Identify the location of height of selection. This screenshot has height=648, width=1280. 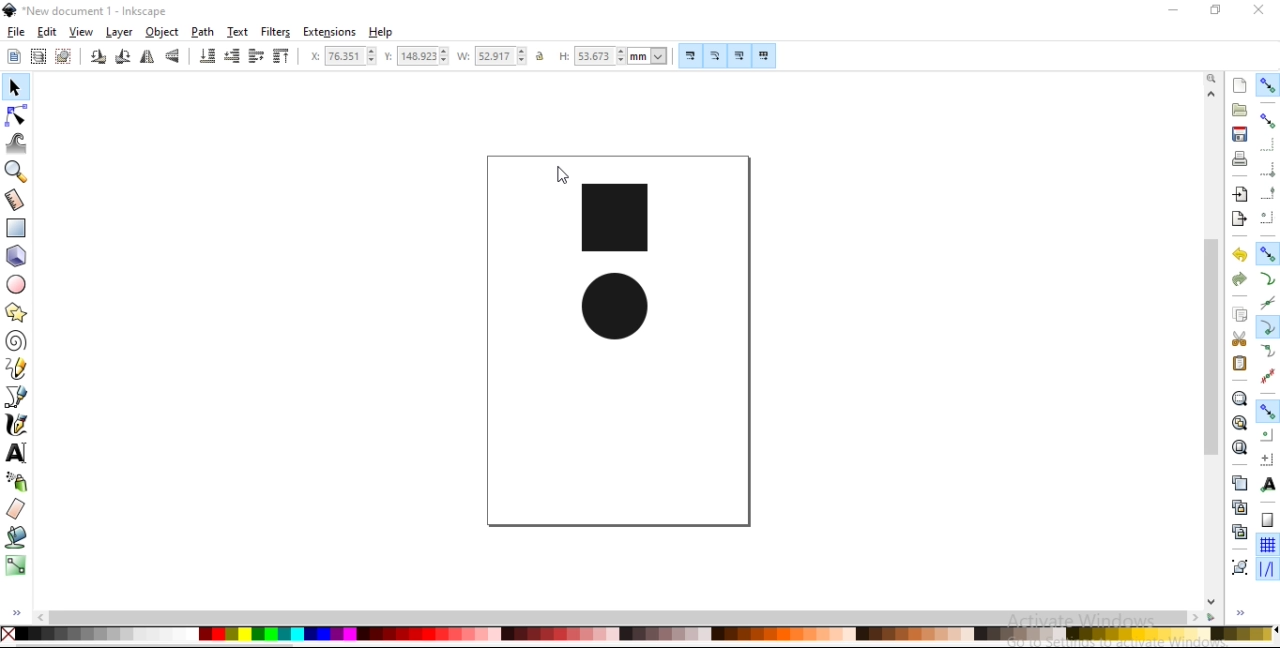
(611, 54).